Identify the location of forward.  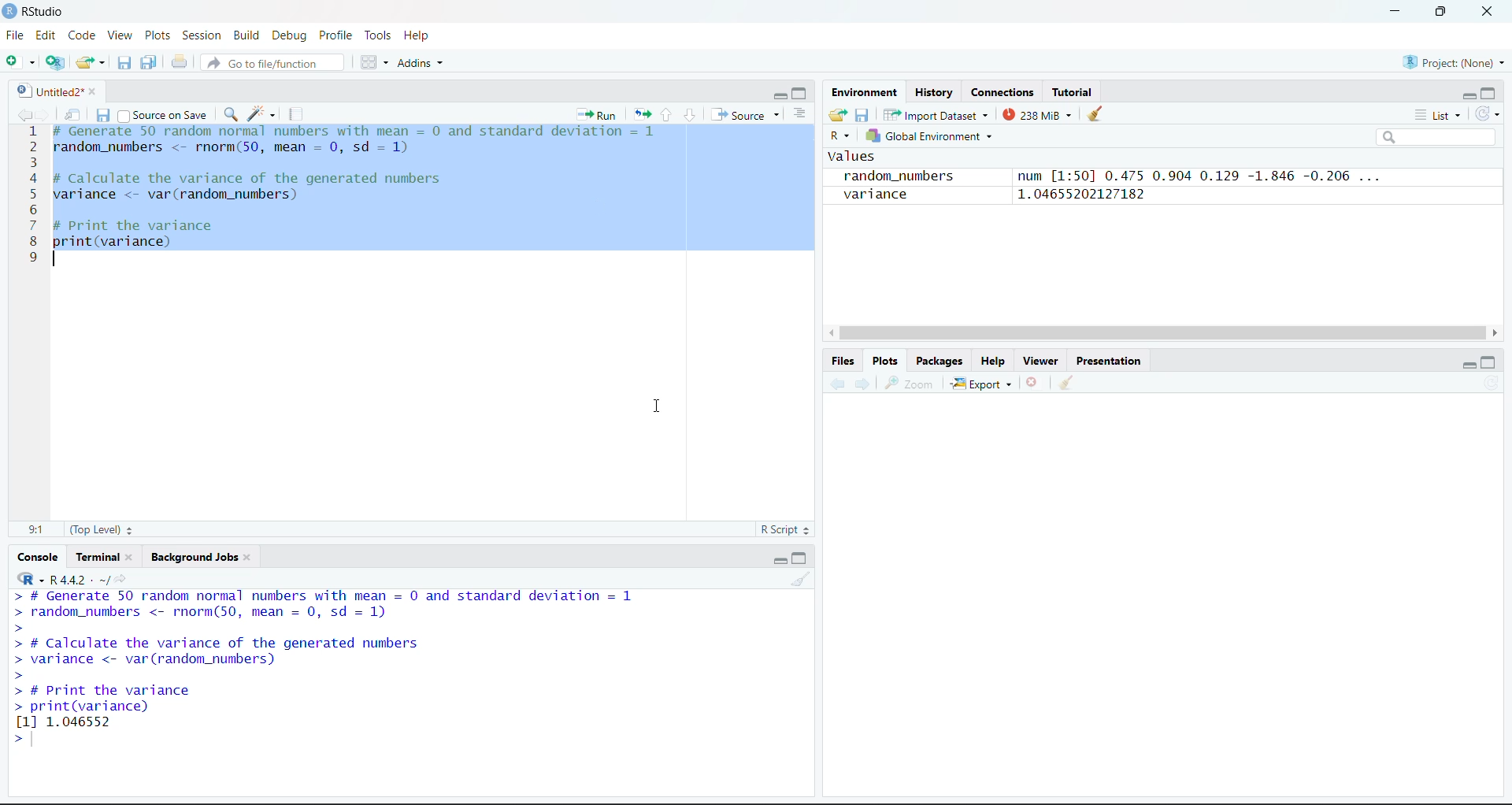
(44, 114).